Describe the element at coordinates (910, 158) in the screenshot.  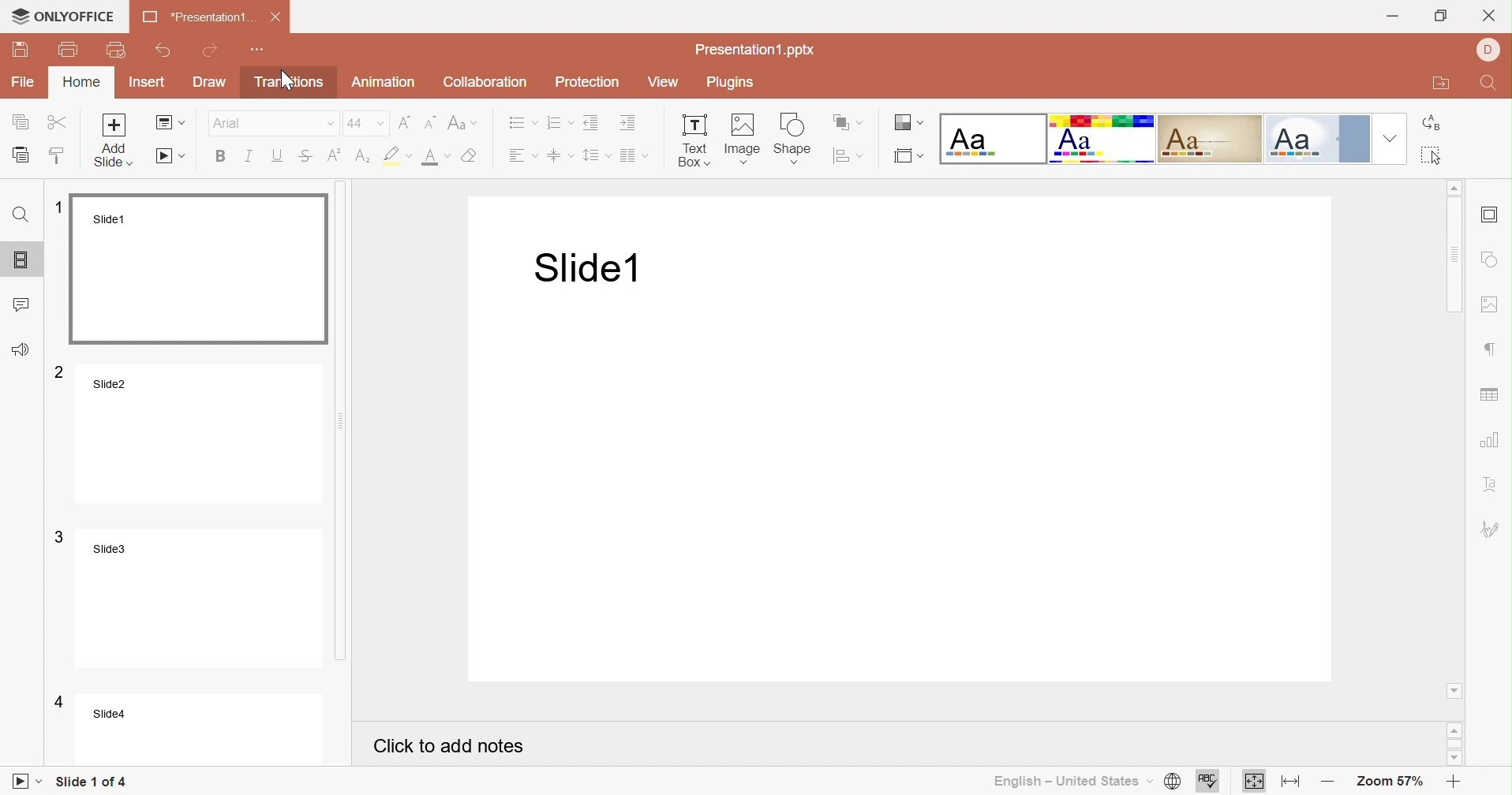
I see `Align Shape` at that location.